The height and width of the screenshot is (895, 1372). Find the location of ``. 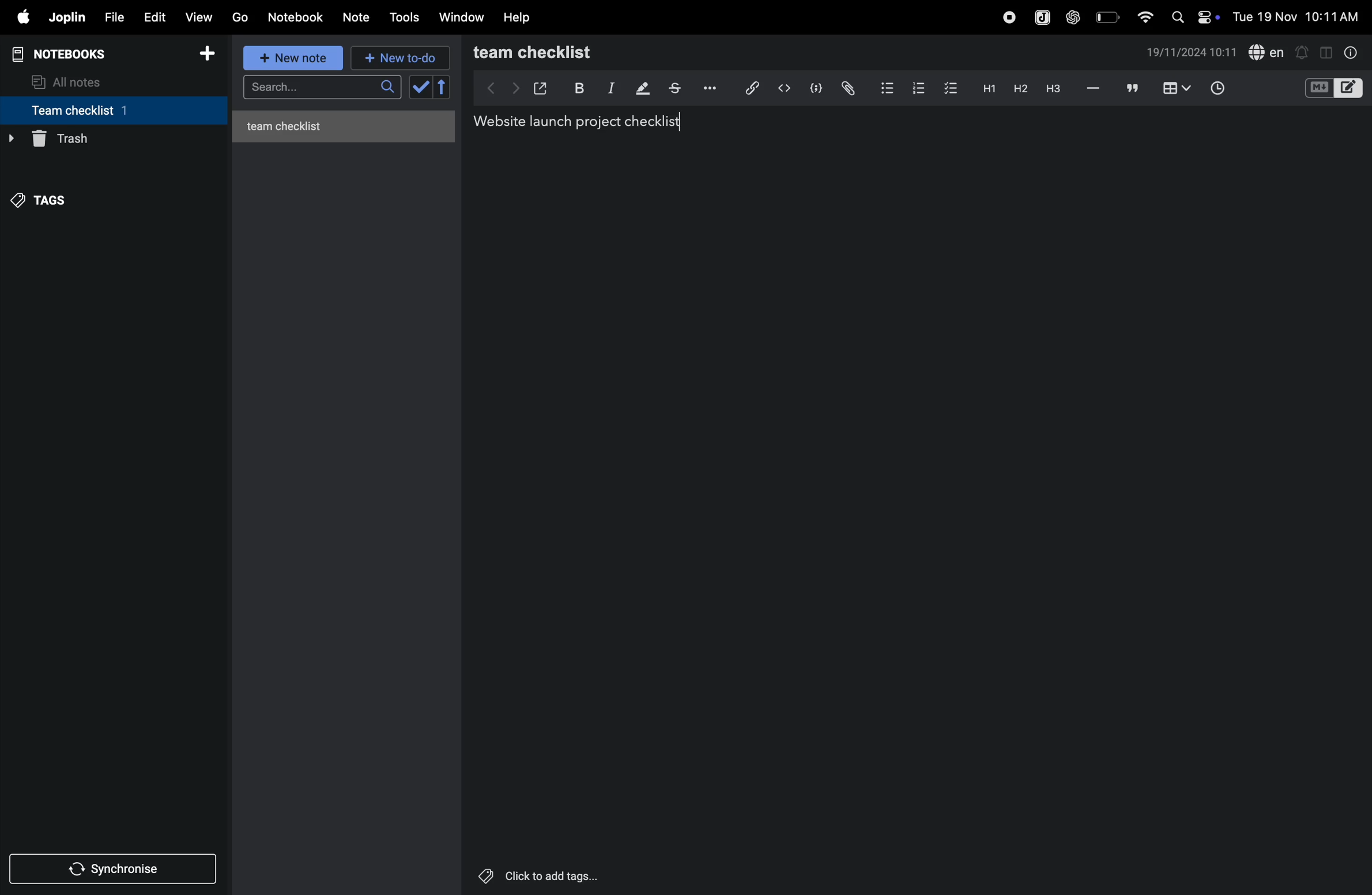

 is located at coordinates (1301, 51).